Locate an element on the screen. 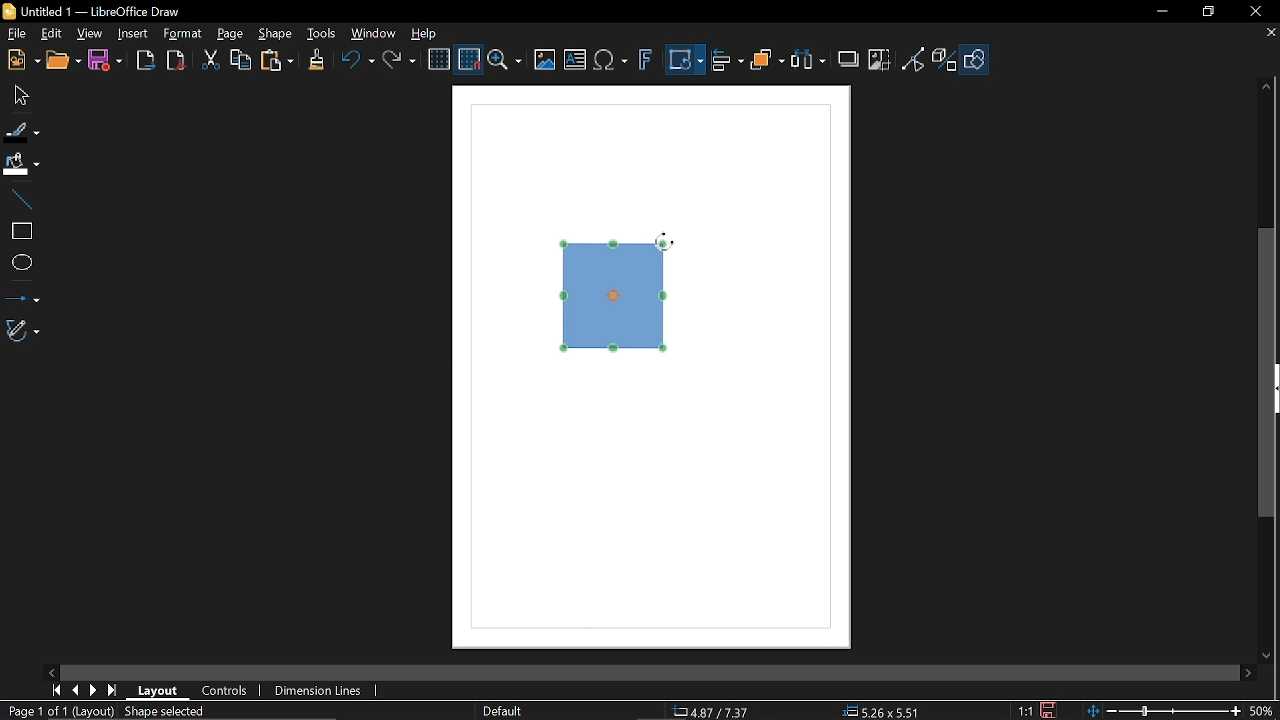  Insert is located at coordinates (131, 33).